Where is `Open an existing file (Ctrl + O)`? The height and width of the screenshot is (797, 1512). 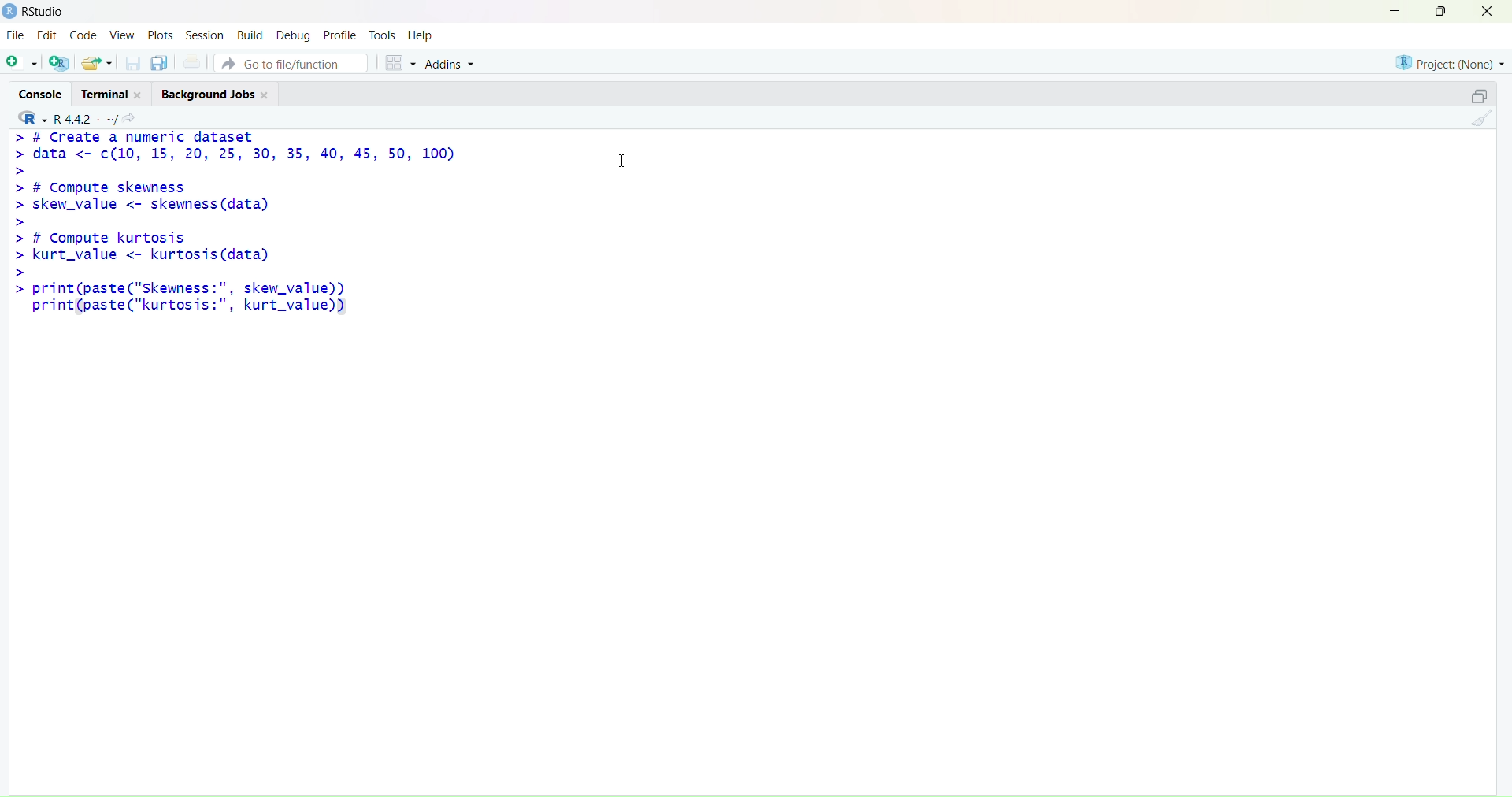
Open an existing file (Ctrl + O) is located at coordinates (98, 62).